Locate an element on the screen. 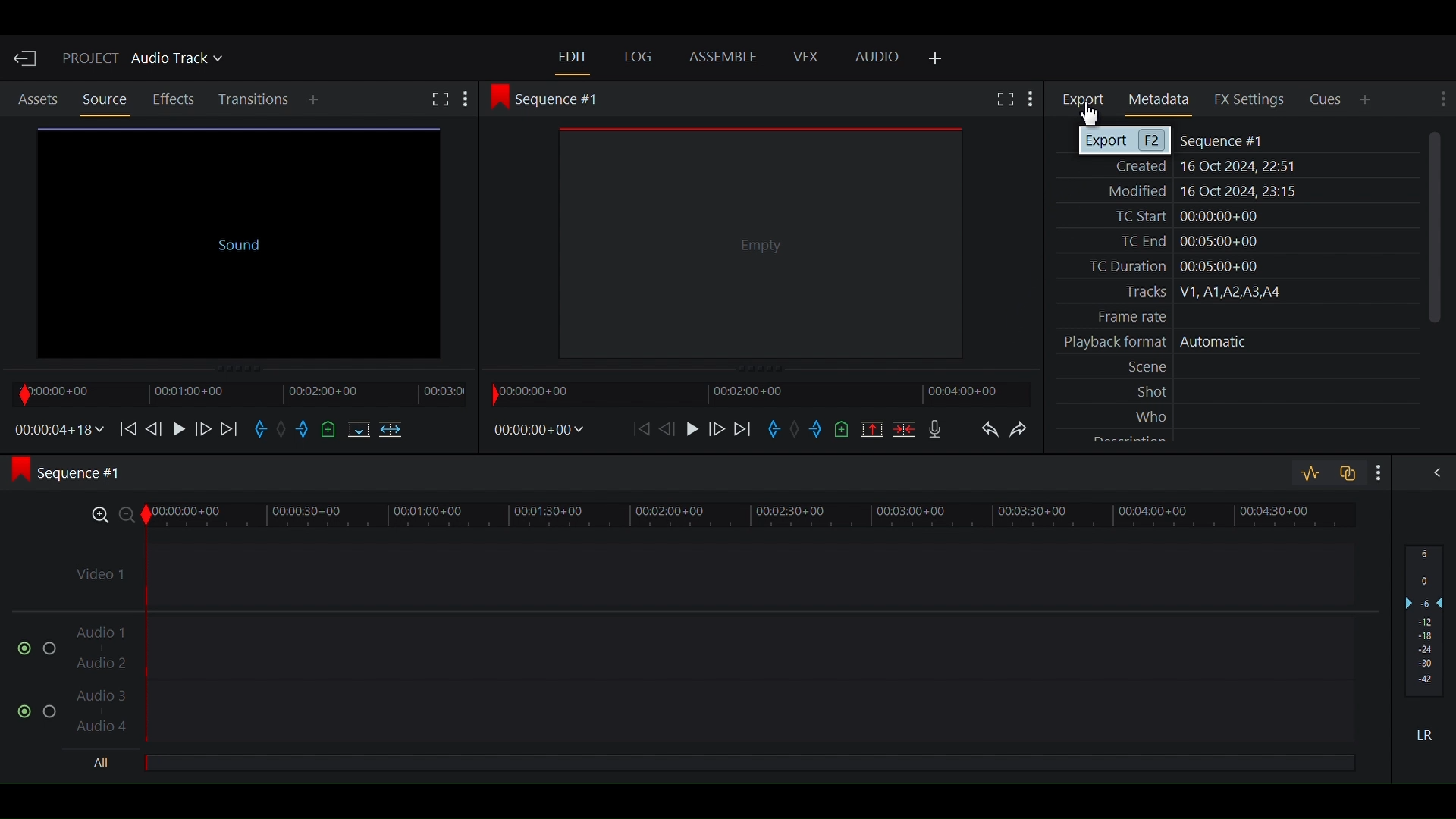  Add a cue is located at coordinates (330, 430).